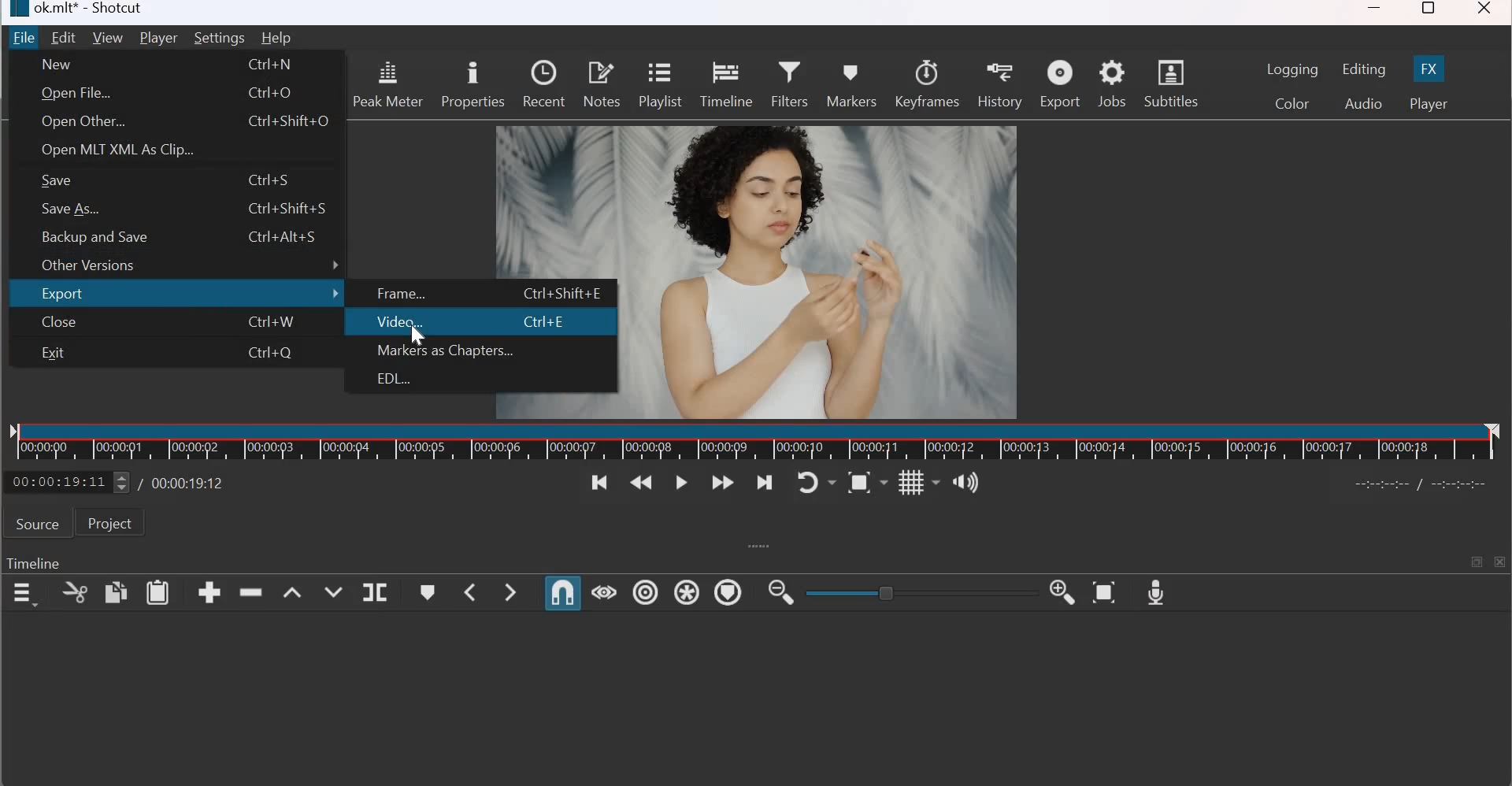  I want to click on Play quickly backwards, so click(641, 484).